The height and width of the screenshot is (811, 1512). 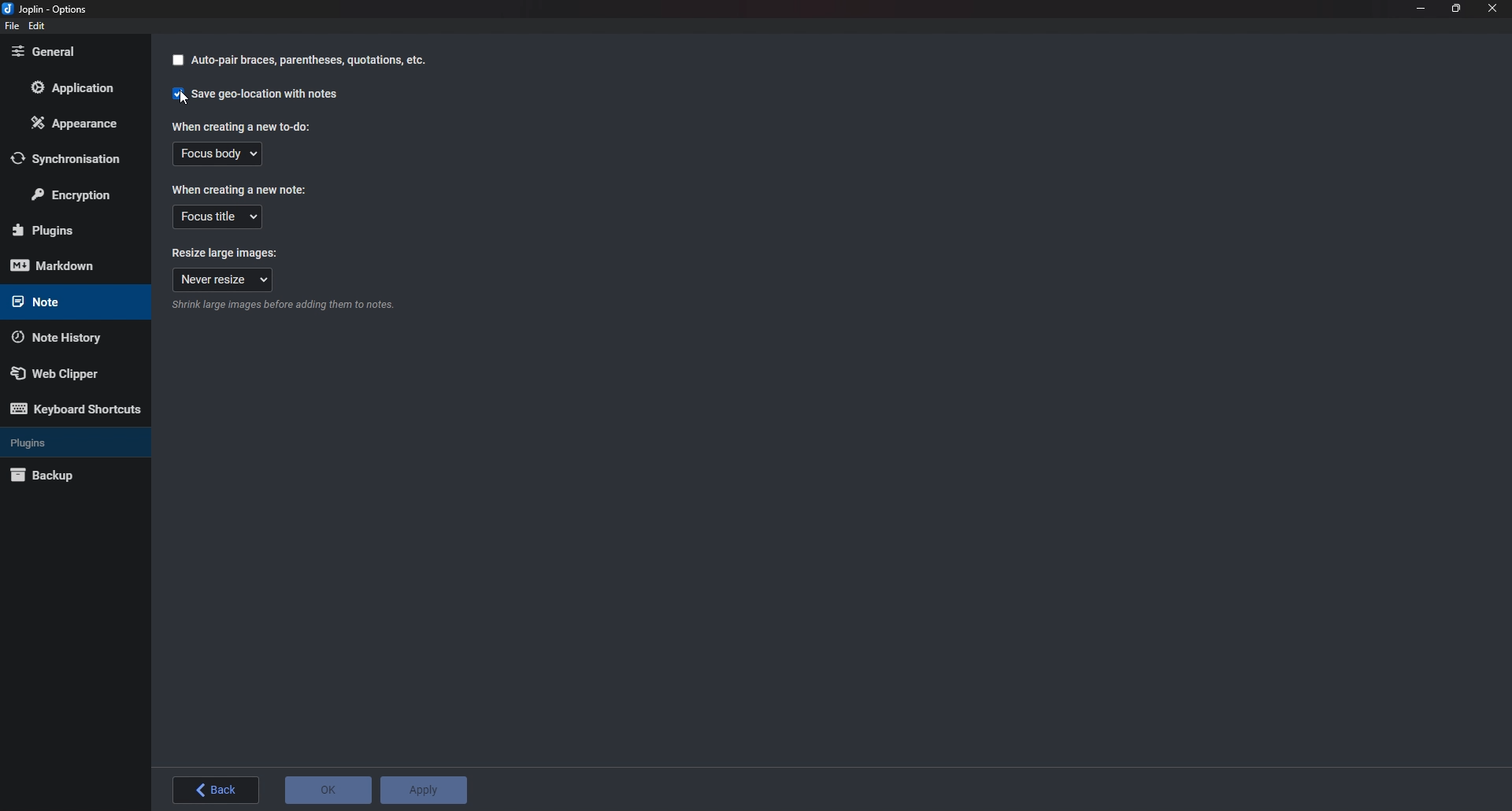 What do you see at coordinates (297, 61) in the screenshot?
I see `auto pair braces parenthesis Quotation etc` at bounding box center [297, 61].